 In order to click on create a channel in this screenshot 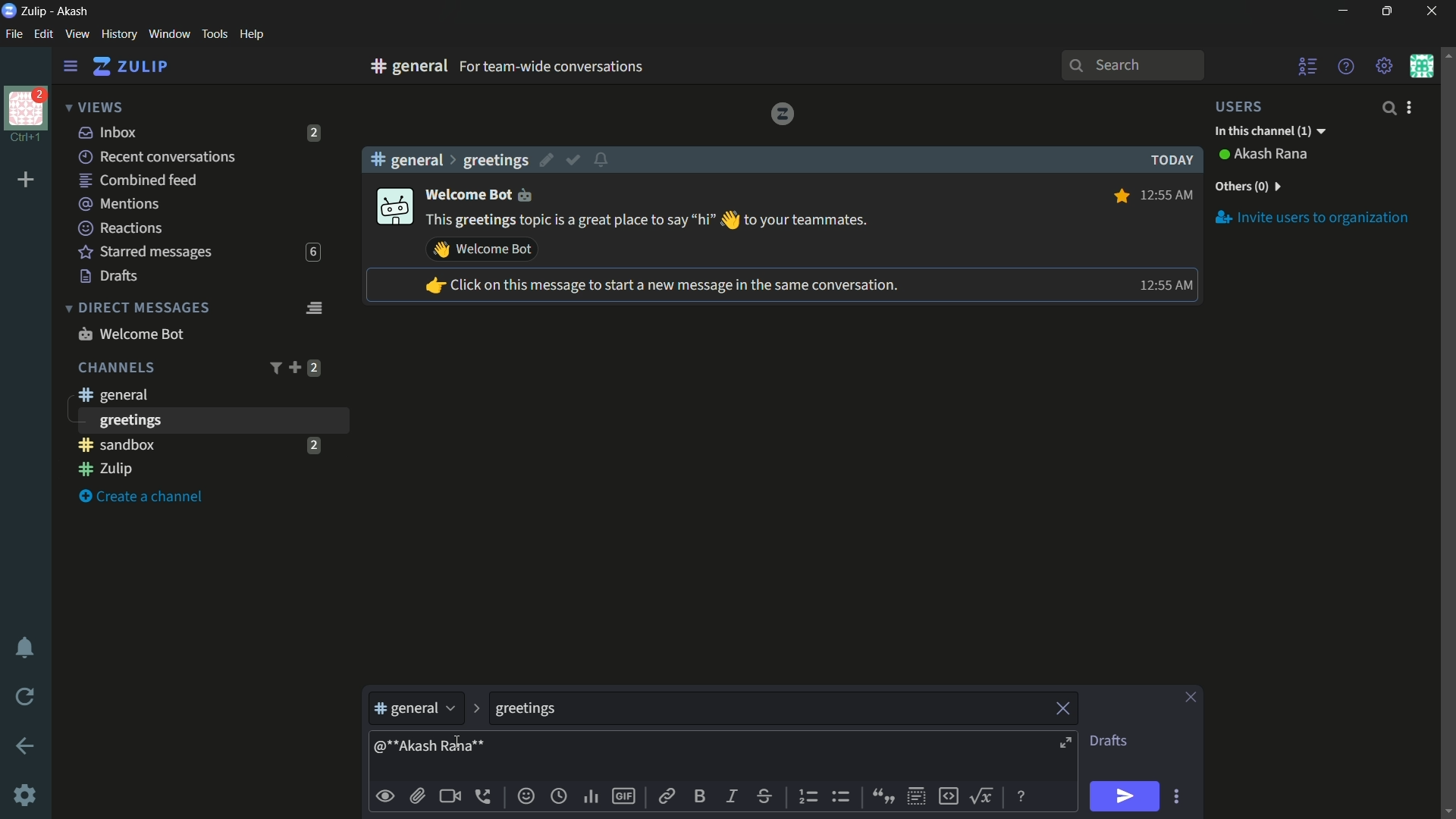, I will do `click(145, 497)`.